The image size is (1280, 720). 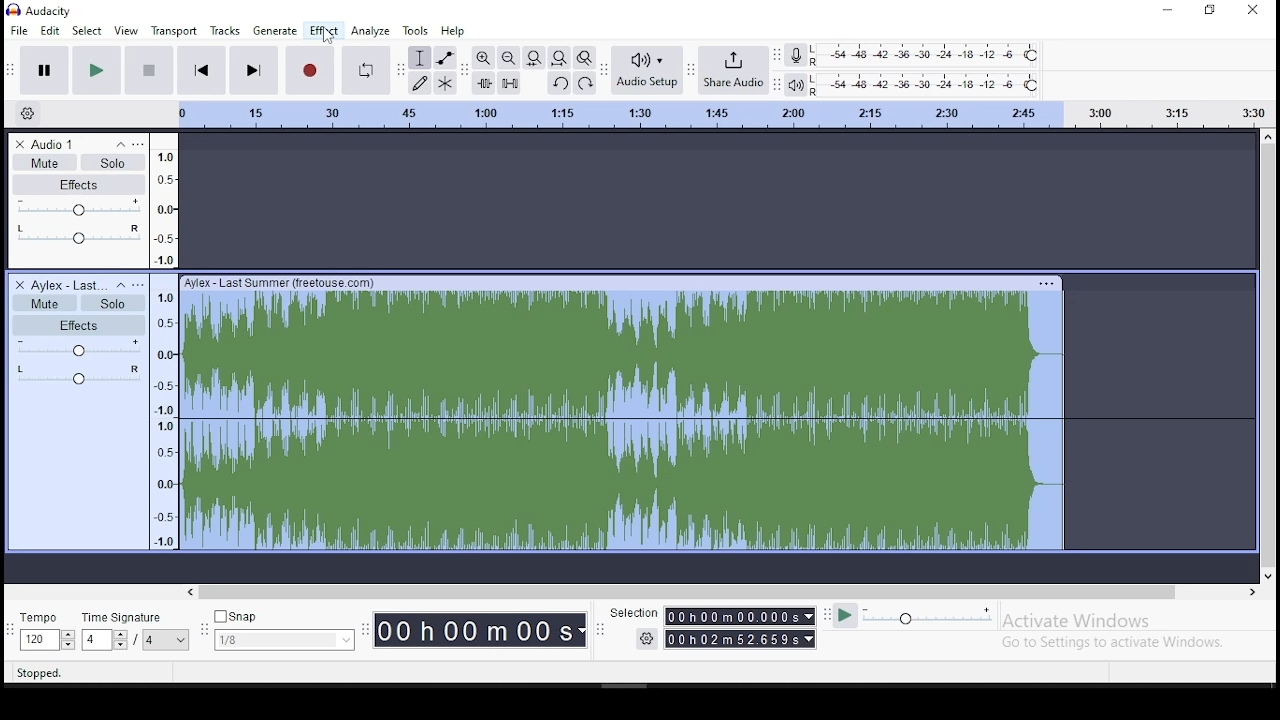 What do you see at coordinates (286, 631) in the screenshot?
I see `snap` at bounding box center [286, 631].